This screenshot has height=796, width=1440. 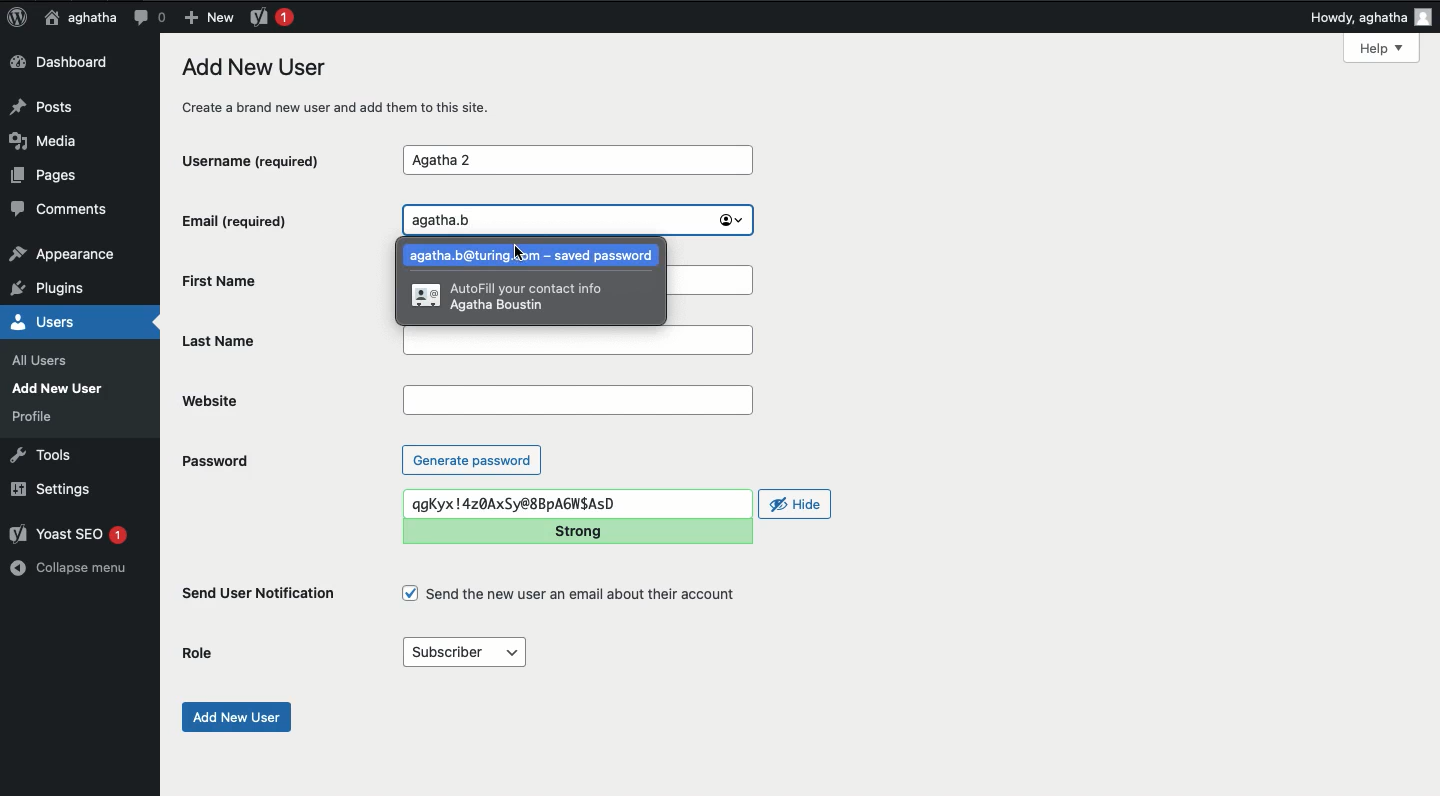 I want to click on Help, so click(x=1381, y=48).